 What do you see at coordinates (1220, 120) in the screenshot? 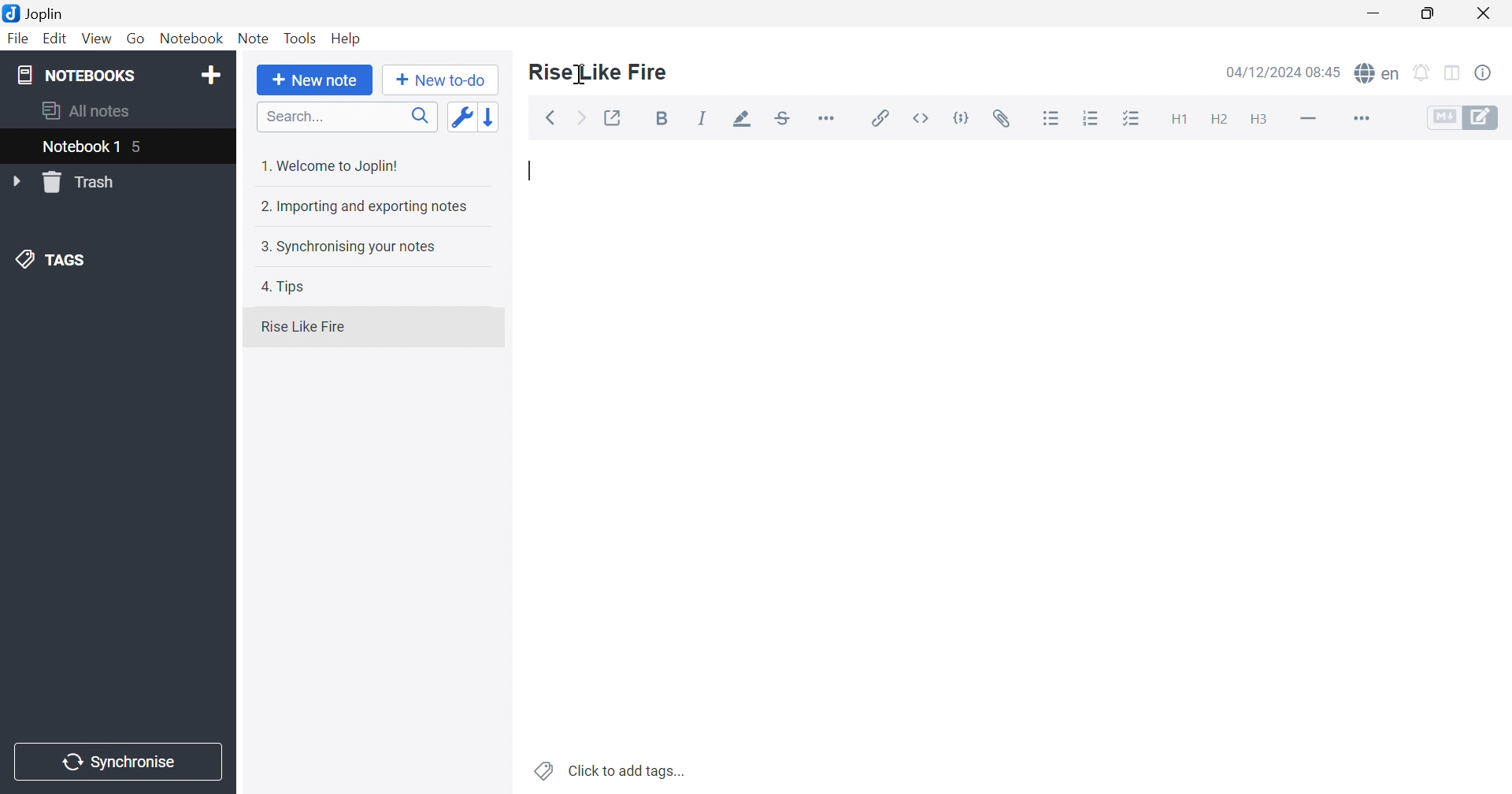
I see `Heading 2` at bounding box center [1220, 120].